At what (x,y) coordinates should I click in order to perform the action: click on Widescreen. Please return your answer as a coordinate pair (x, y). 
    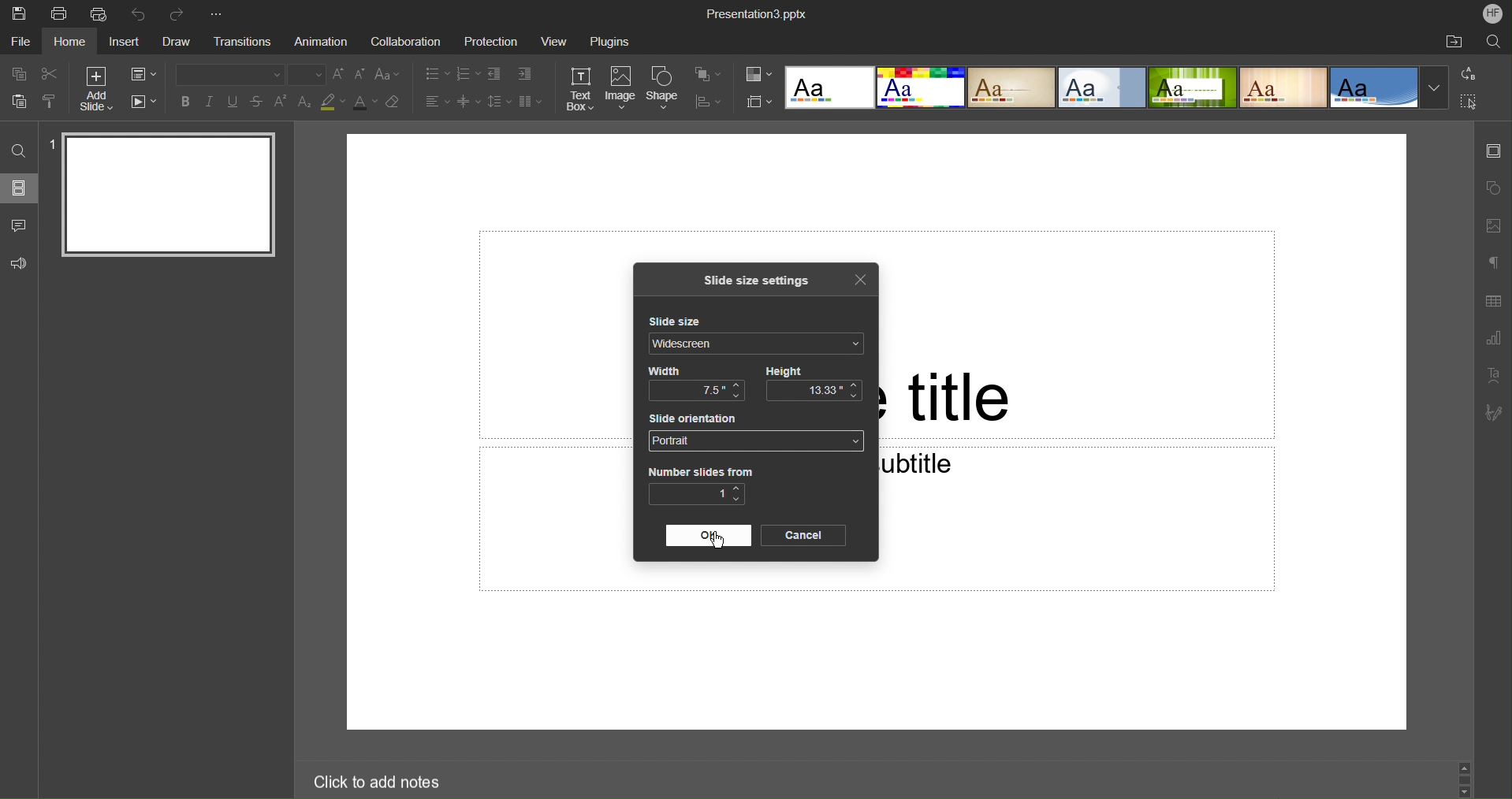
    Looking at the image, I should click on (758, 344).